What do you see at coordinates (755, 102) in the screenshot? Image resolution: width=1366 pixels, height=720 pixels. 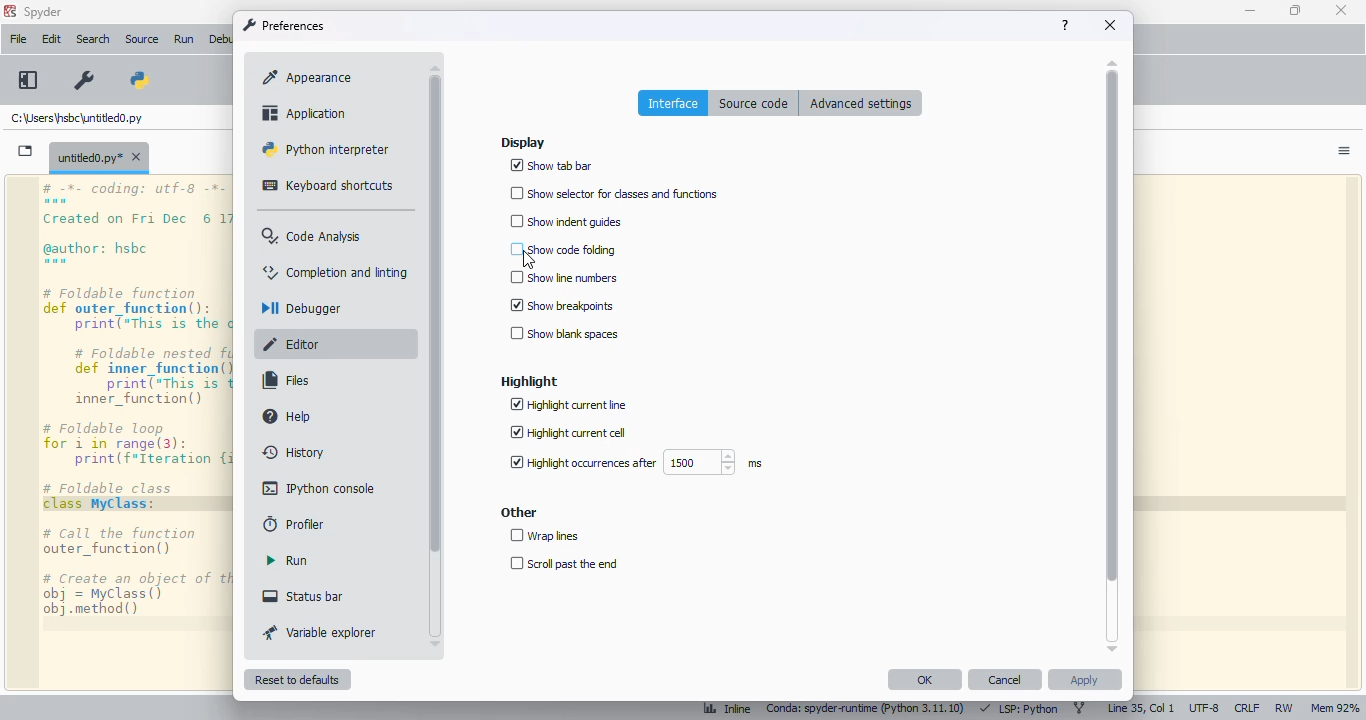 I see `source code` at bounding box center [755, 102].